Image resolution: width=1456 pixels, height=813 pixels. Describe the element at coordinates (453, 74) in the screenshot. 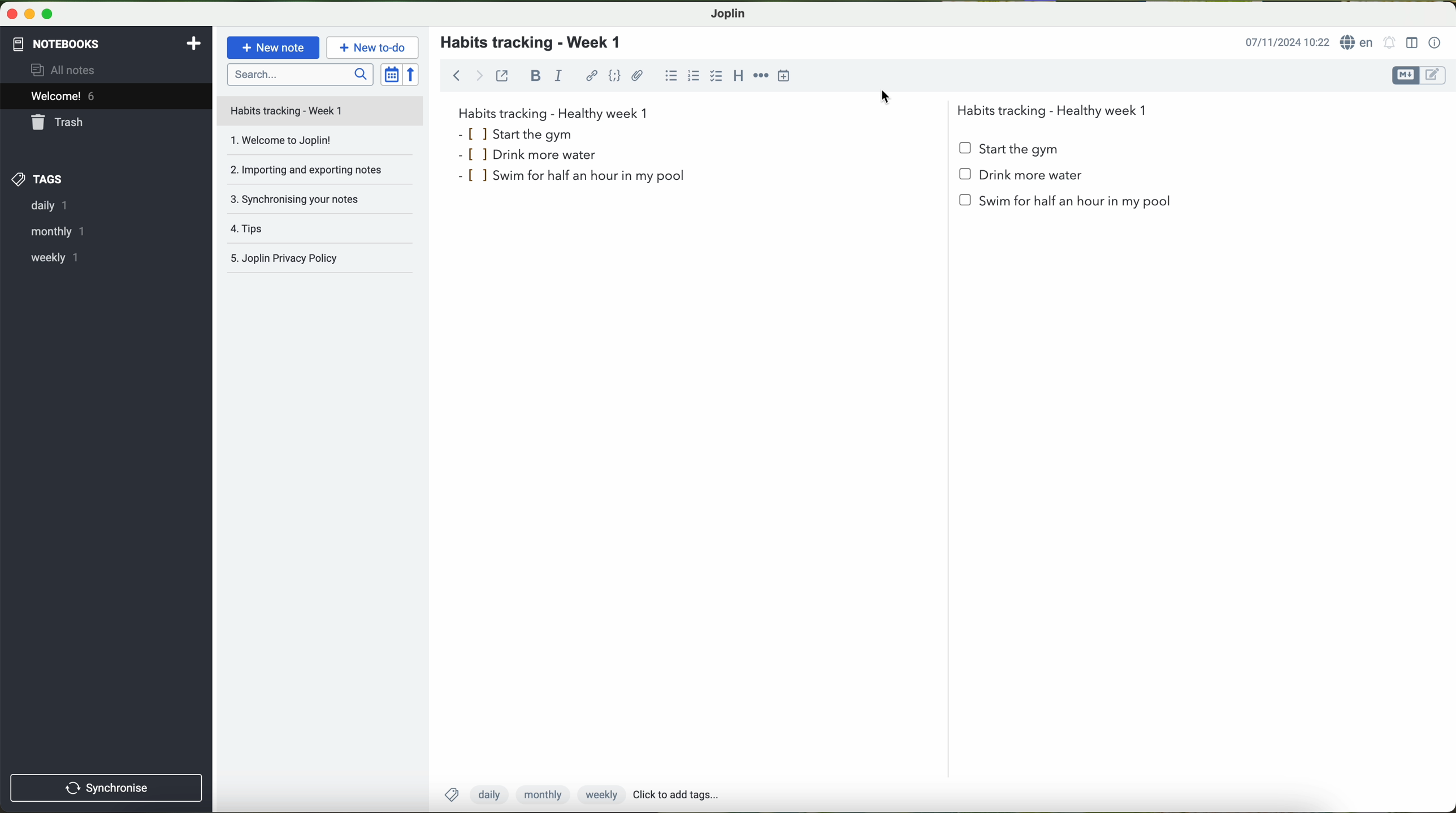

I see `back` at that location.